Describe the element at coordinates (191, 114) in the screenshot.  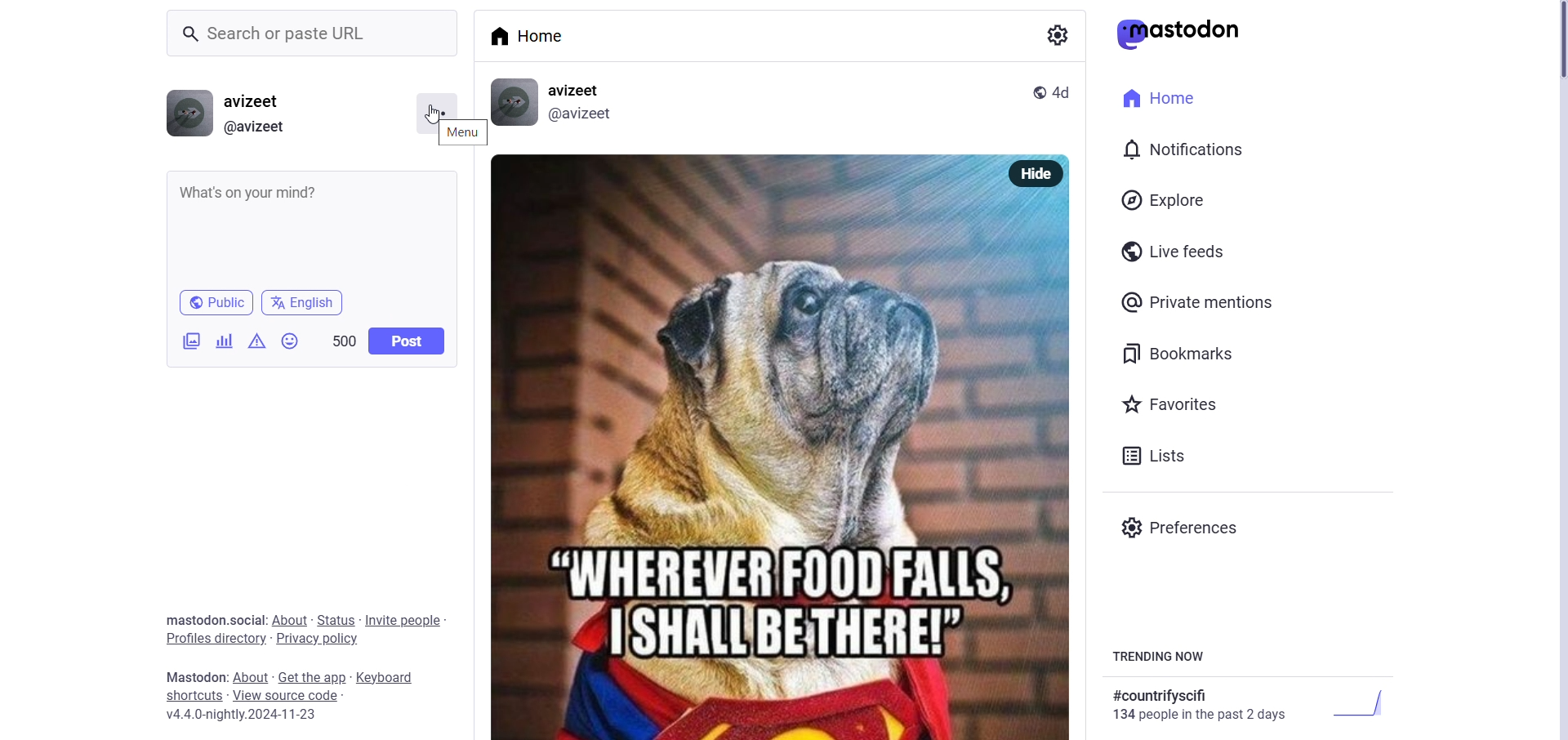
I see `display picture` at that location.